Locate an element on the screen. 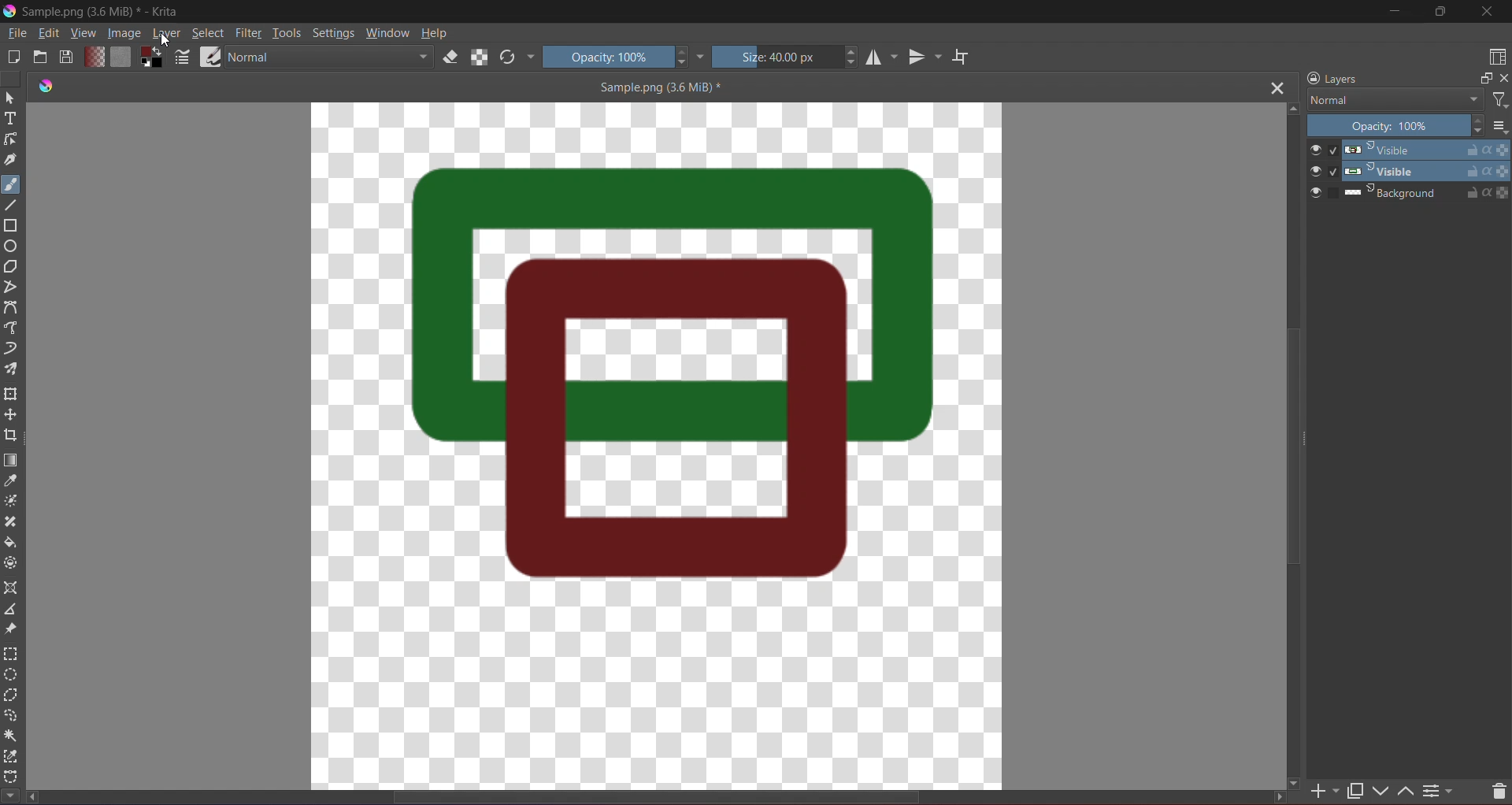  Close Canvas is located at coordinates (1277, 88).